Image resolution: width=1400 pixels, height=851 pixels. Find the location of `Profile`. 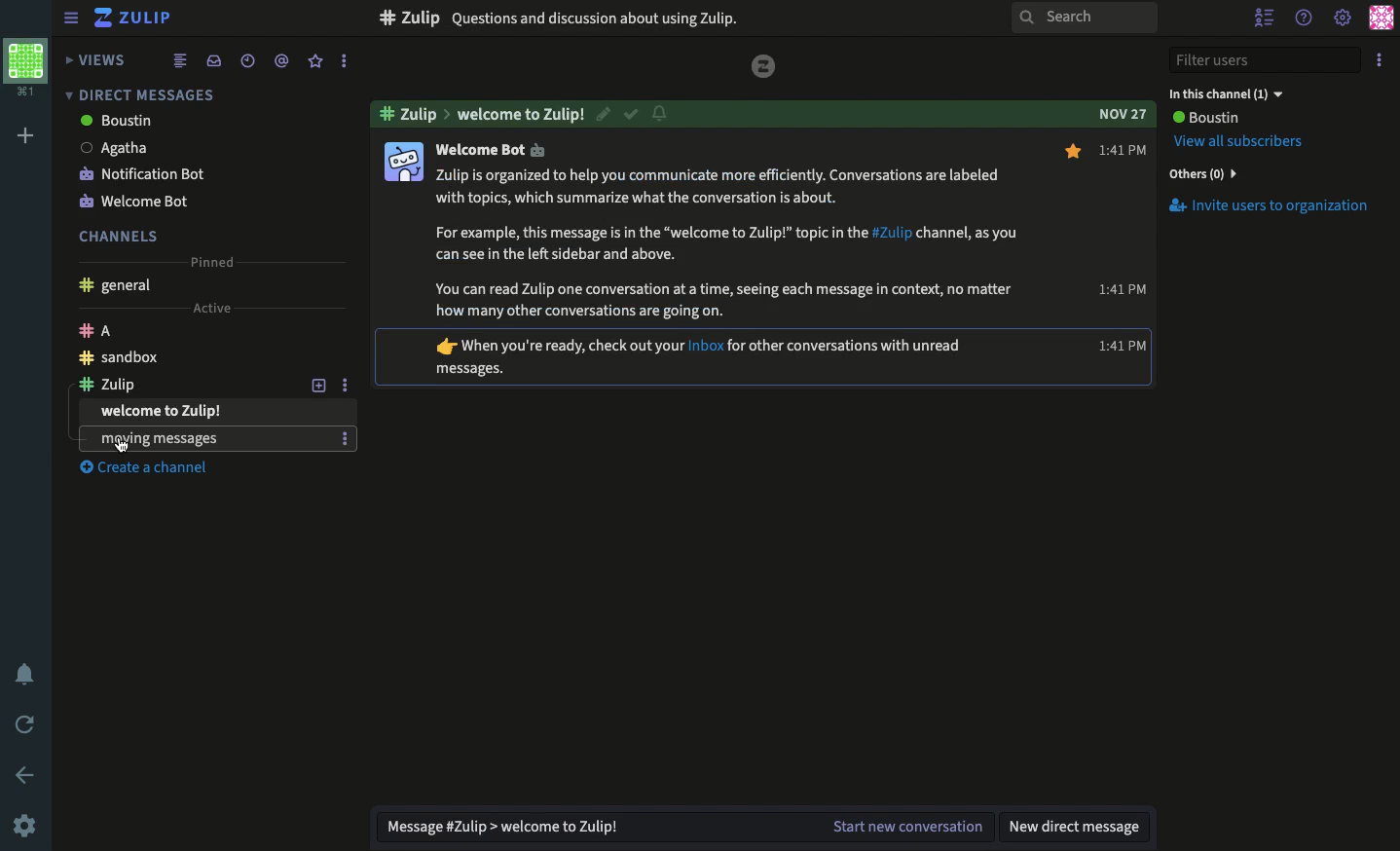

Profile is located at coordinates (24, 65).